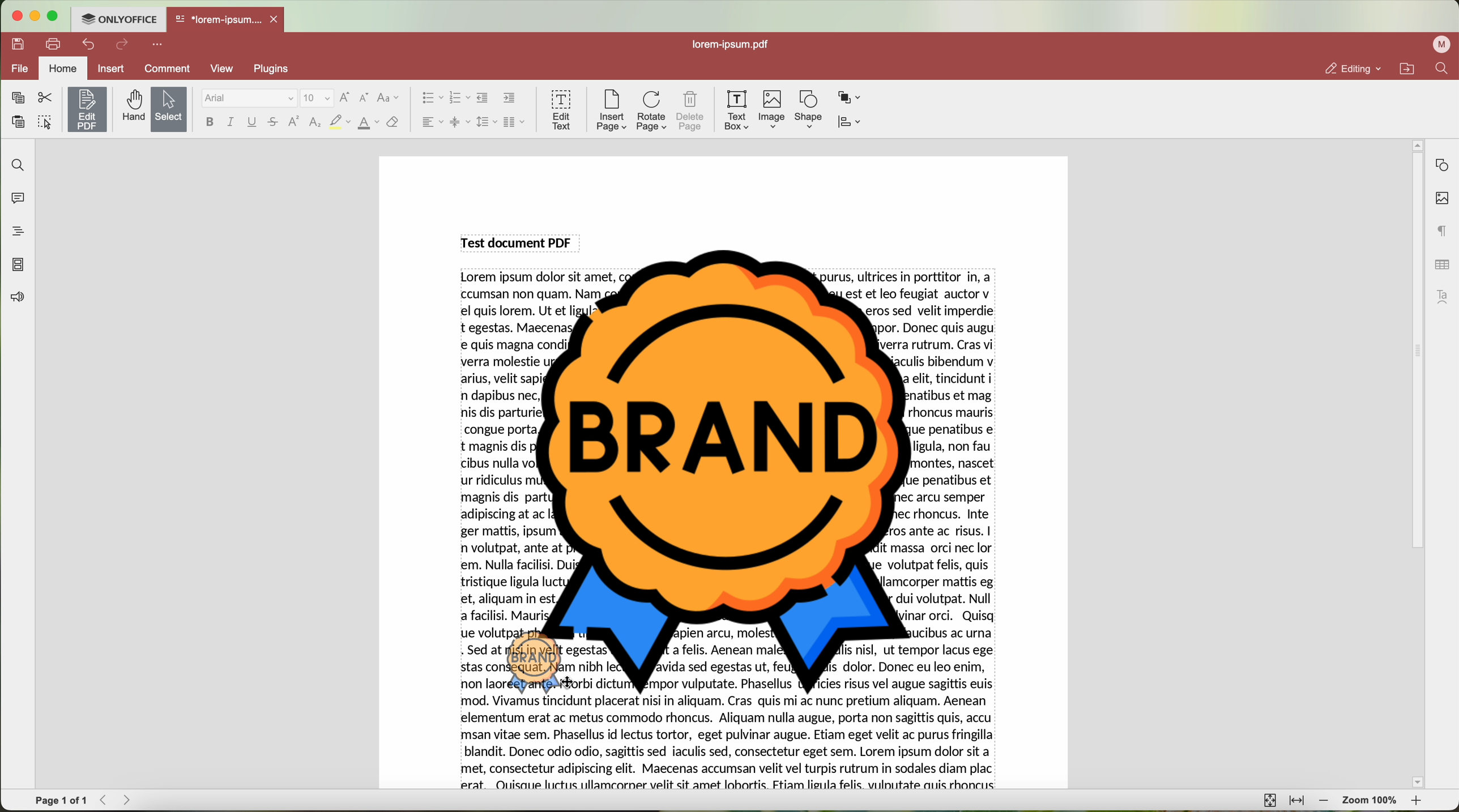  Describe the element at coordinates (723, 474) in the screenshot. I see `Image` at that location.